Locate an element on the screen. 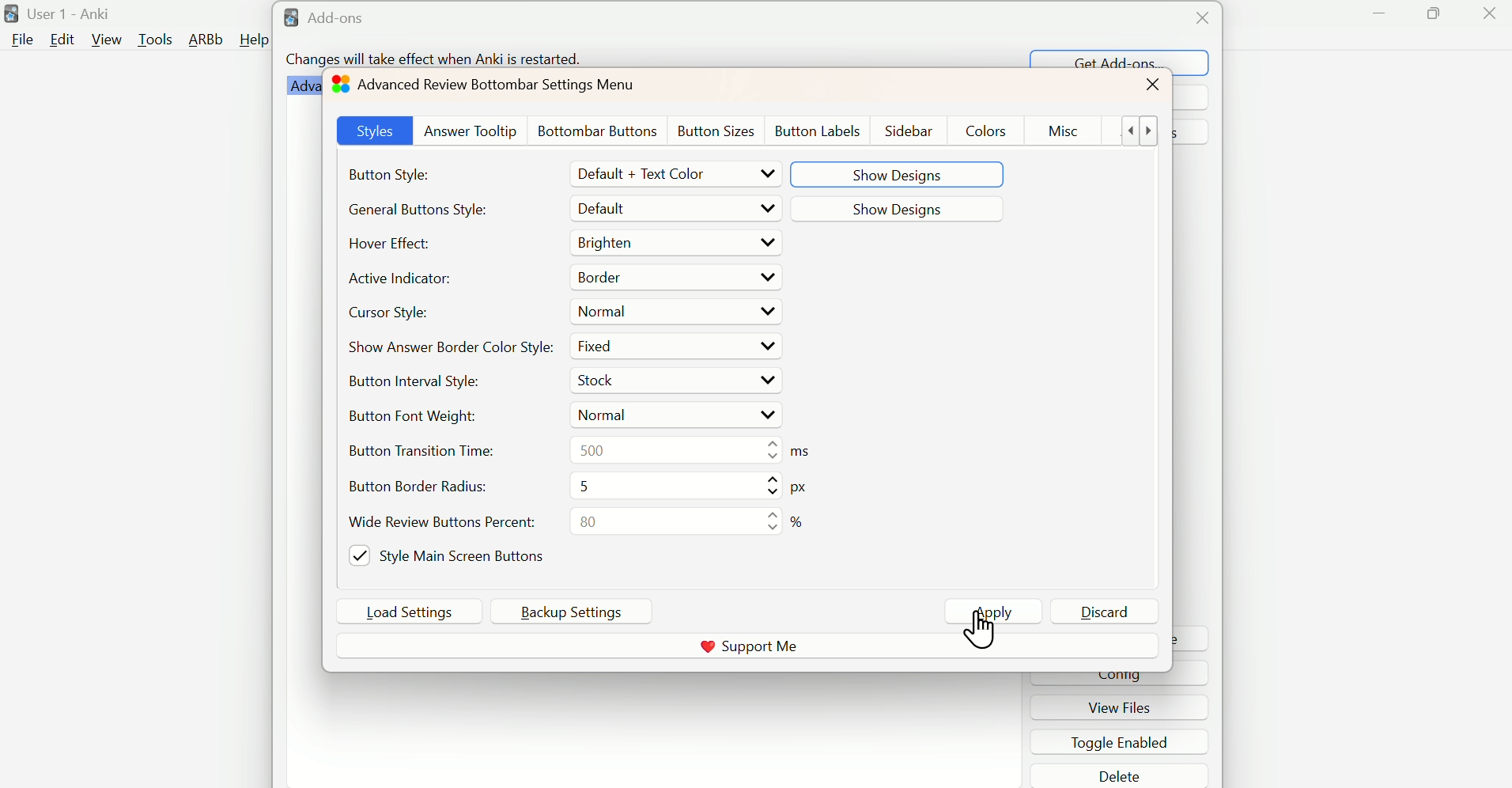 This screenshot has height=788, width=1512. Answer Tooltip is located at coordinates (467, 133).